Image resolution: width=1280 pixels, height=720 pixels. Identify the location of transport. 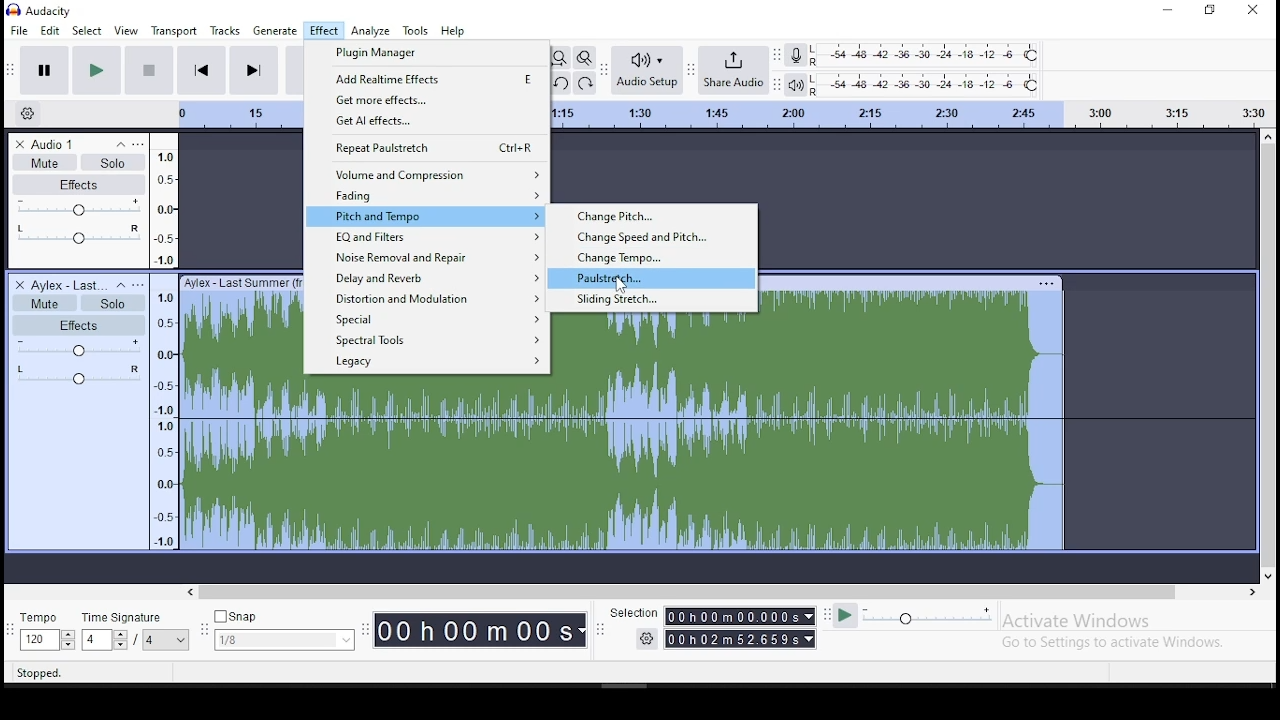
(174, 31).